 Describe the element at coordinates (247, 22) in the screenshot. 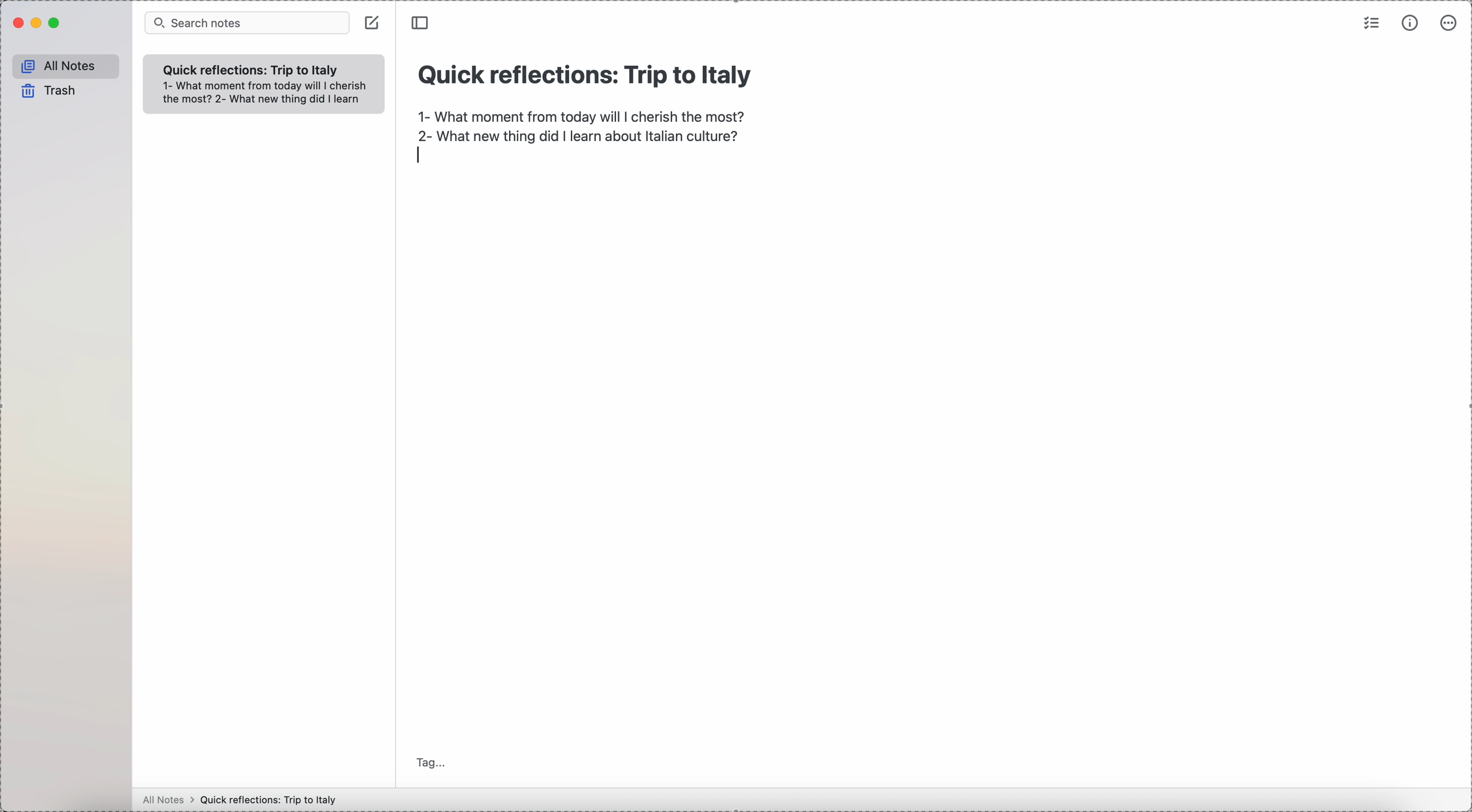

I see `search bar` at that location.